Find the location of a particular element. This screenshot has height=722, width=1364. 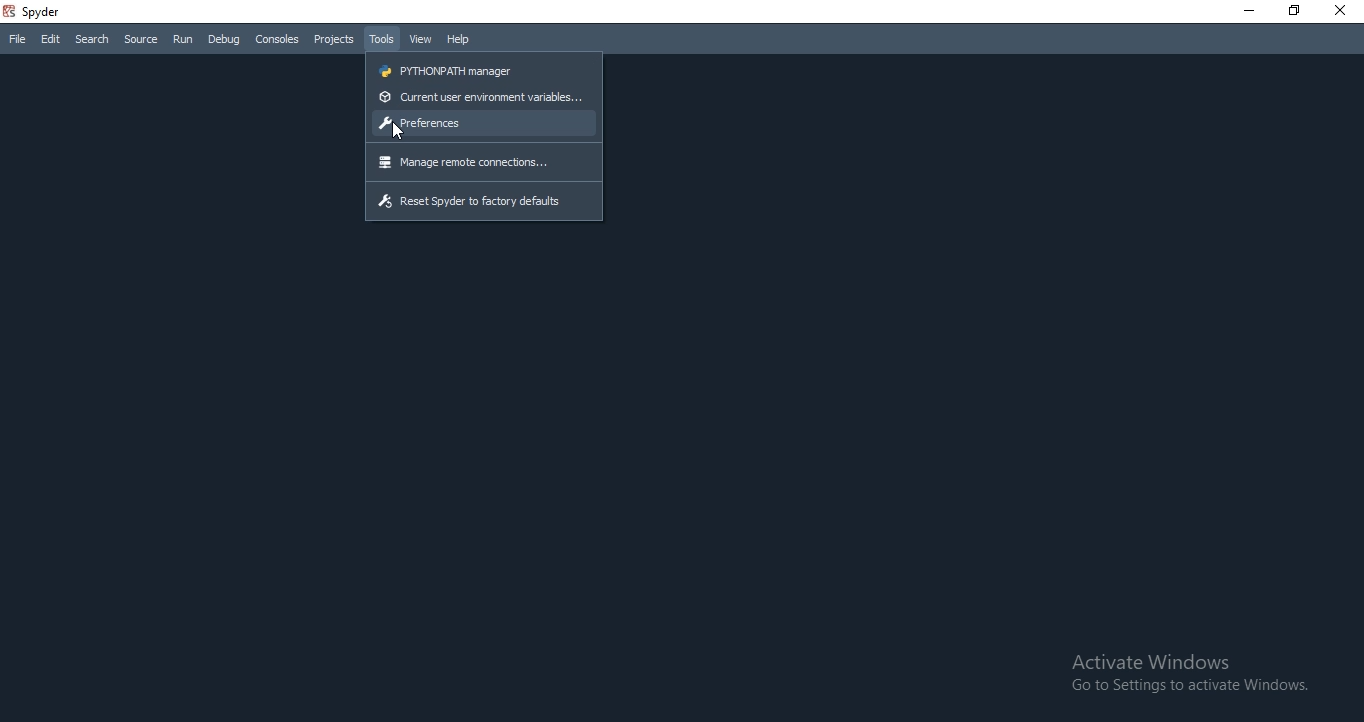

current user environment variables is located at coordinates (485, 98).